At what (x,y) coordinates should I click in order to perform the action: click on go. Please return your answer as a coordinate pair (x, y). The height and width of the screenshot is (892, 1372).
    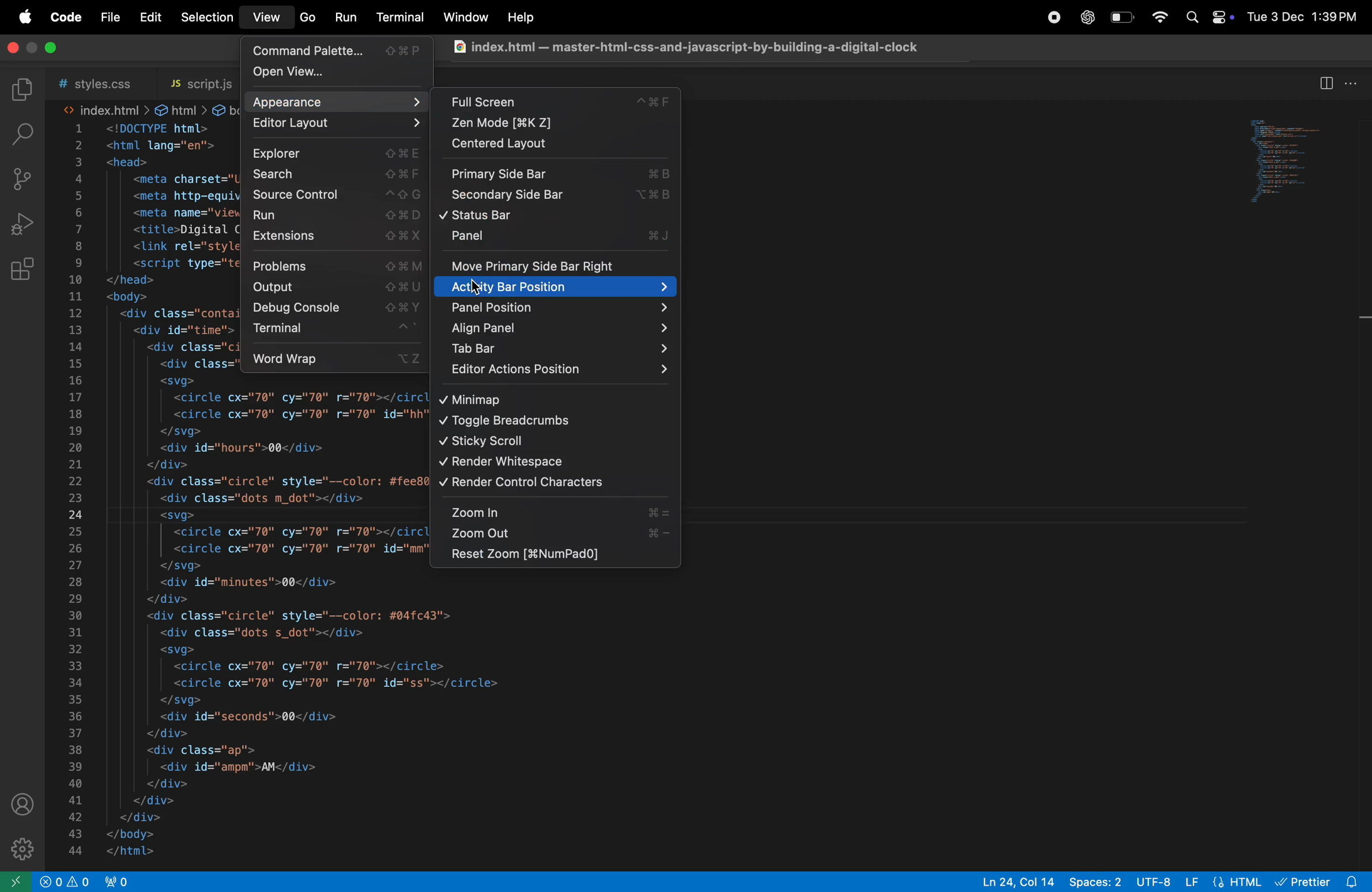
    Looking at the image, I should click on (307, 19).